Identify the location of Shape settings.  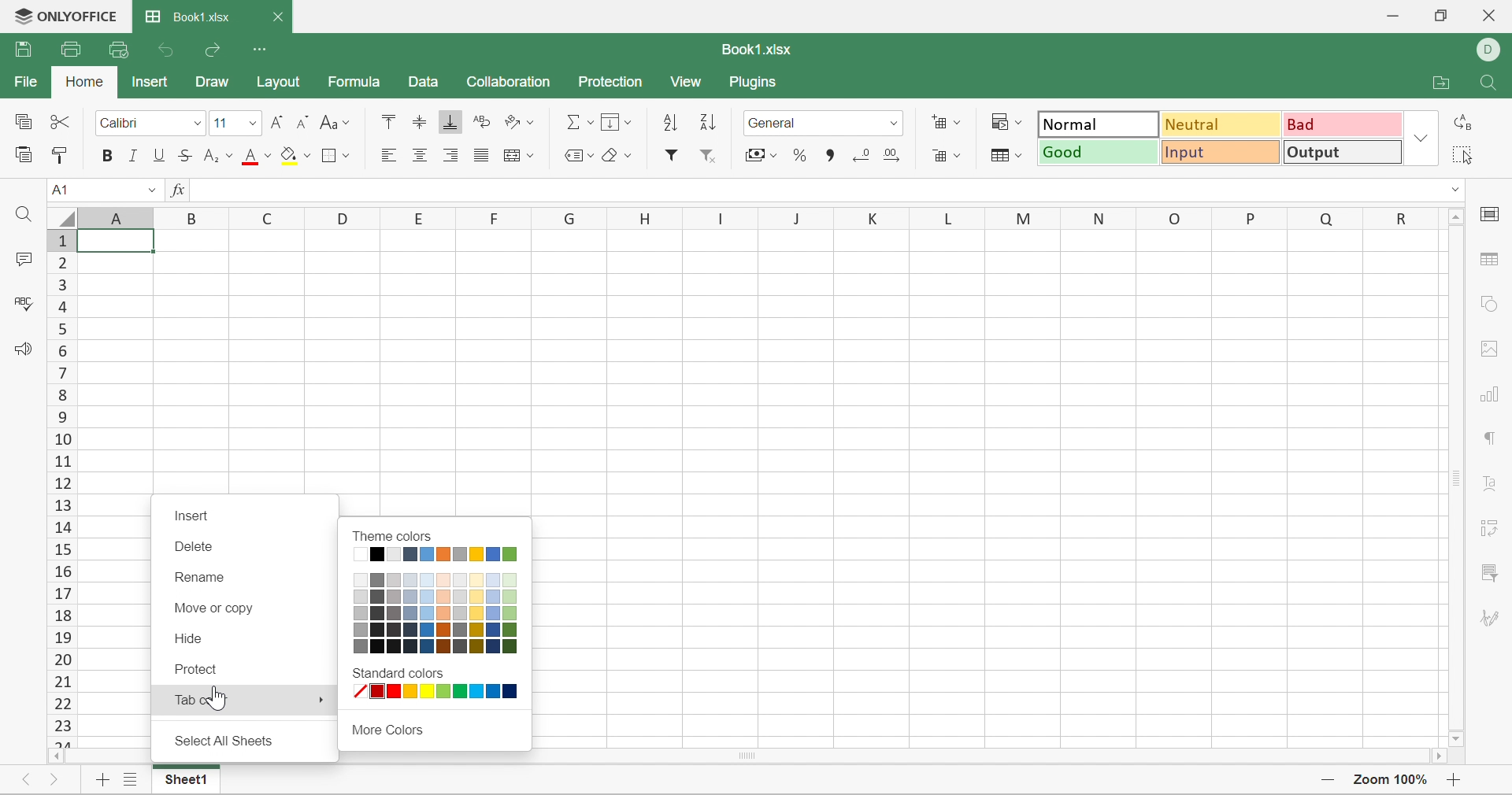
(1488, 304).